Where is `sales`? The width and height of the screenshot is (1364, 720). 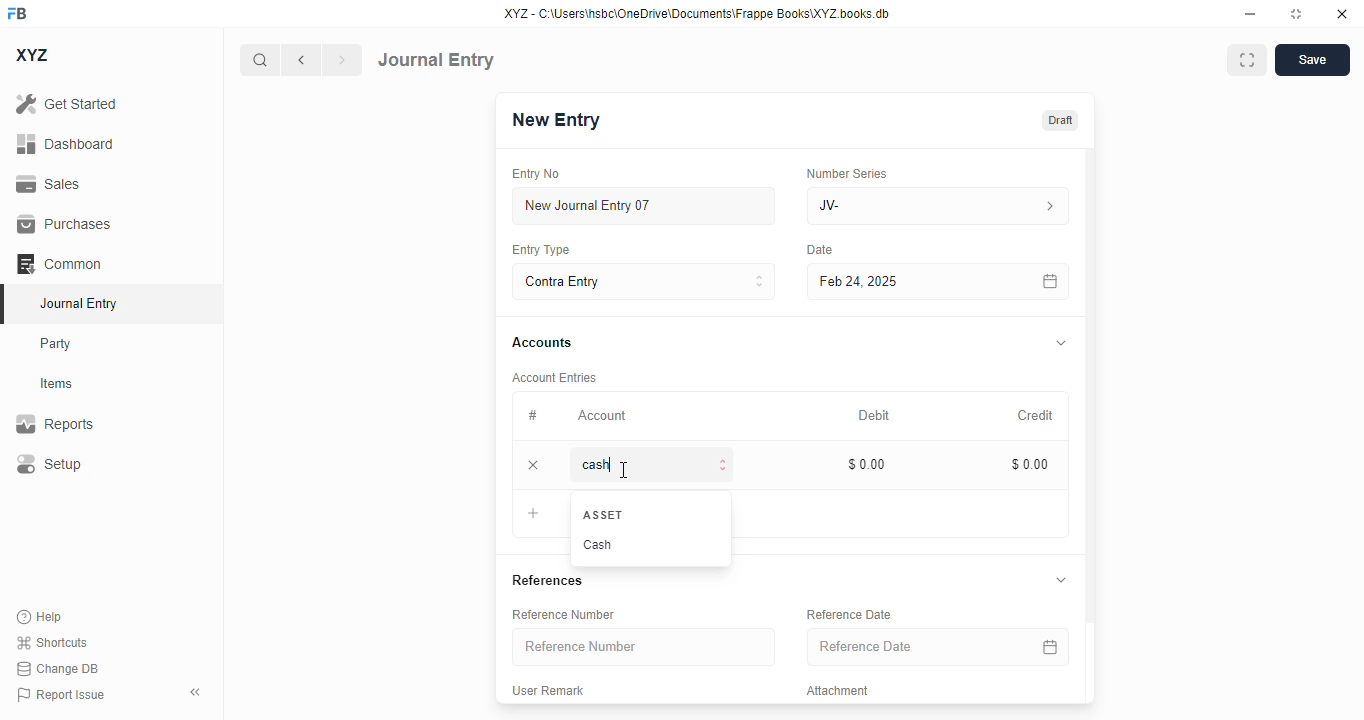 sales is located at coordinates (48, 184).